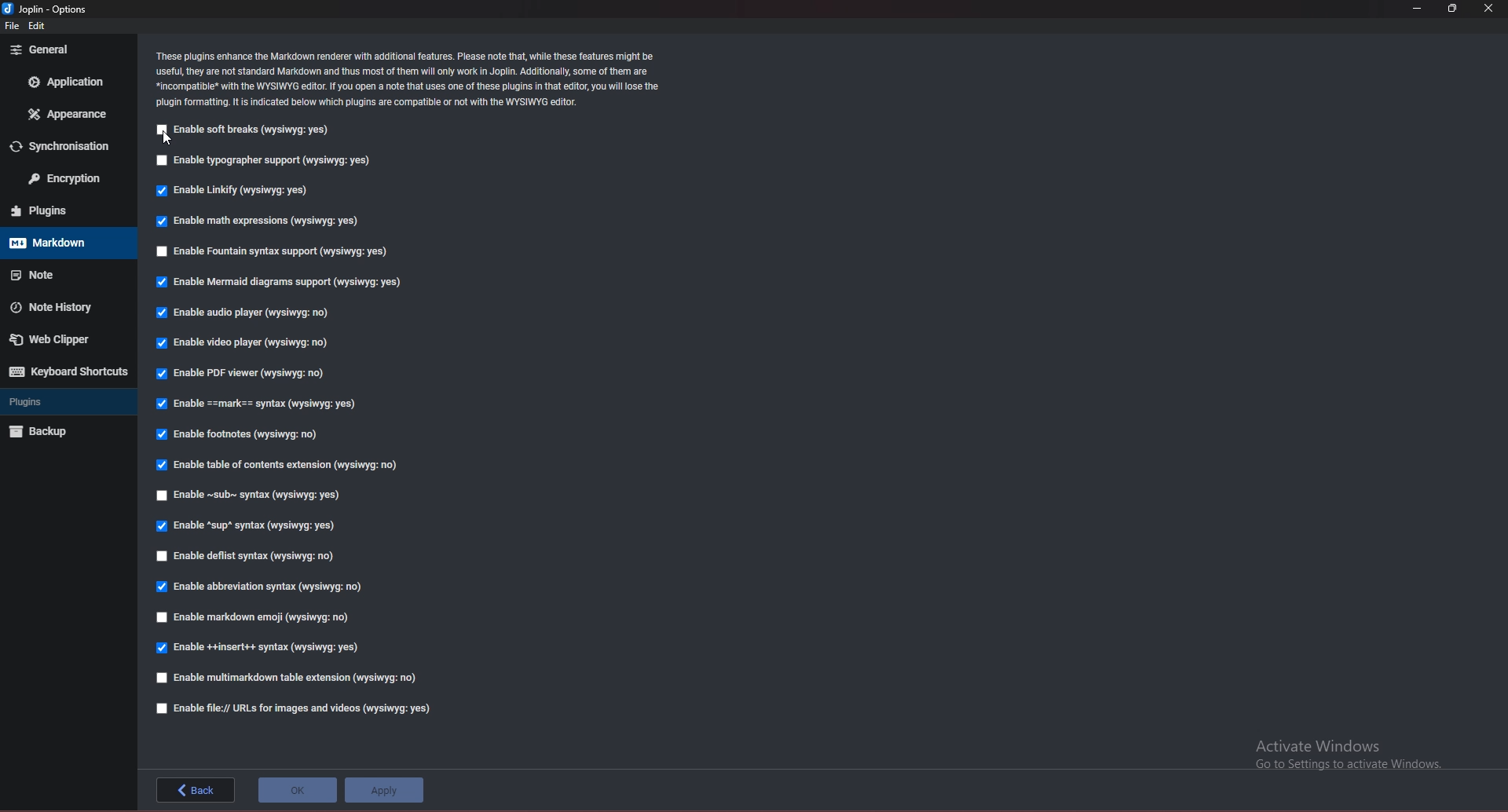 Image resolution: width=1508 pixels, height=812 pixels. I want to click on info, so click(408, 79).